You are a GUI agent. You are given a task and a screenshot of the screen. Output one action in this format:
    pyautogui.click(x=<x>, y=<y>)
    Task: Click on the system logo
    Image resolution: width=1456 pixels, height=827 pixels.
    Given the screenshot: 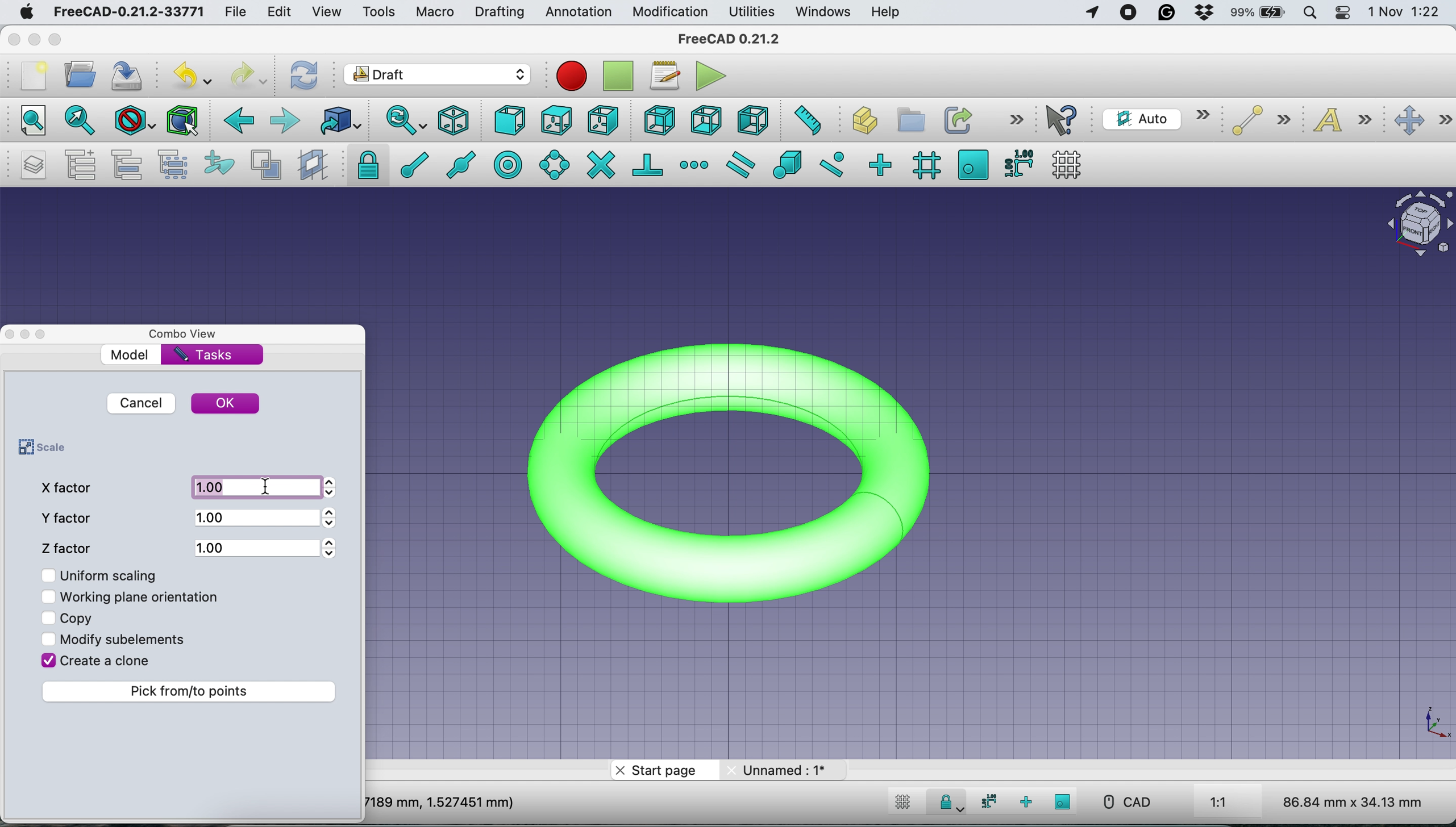 What is the action you would take?
    pyautogui.click(x=24, y=14)
    